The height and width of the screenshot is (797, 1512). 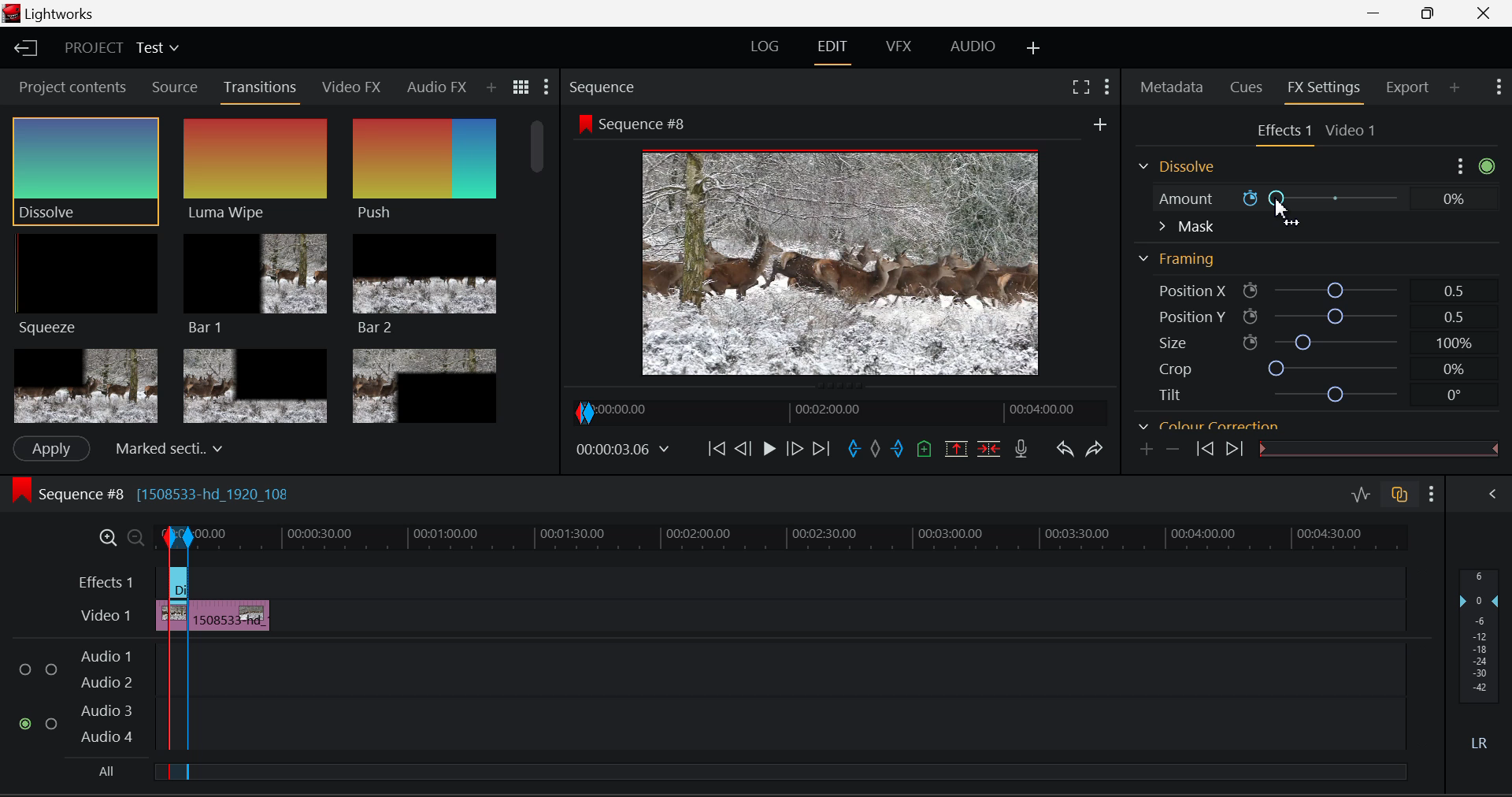 I want to click on Project Timeline Navigator, so click(x=837, y=411).